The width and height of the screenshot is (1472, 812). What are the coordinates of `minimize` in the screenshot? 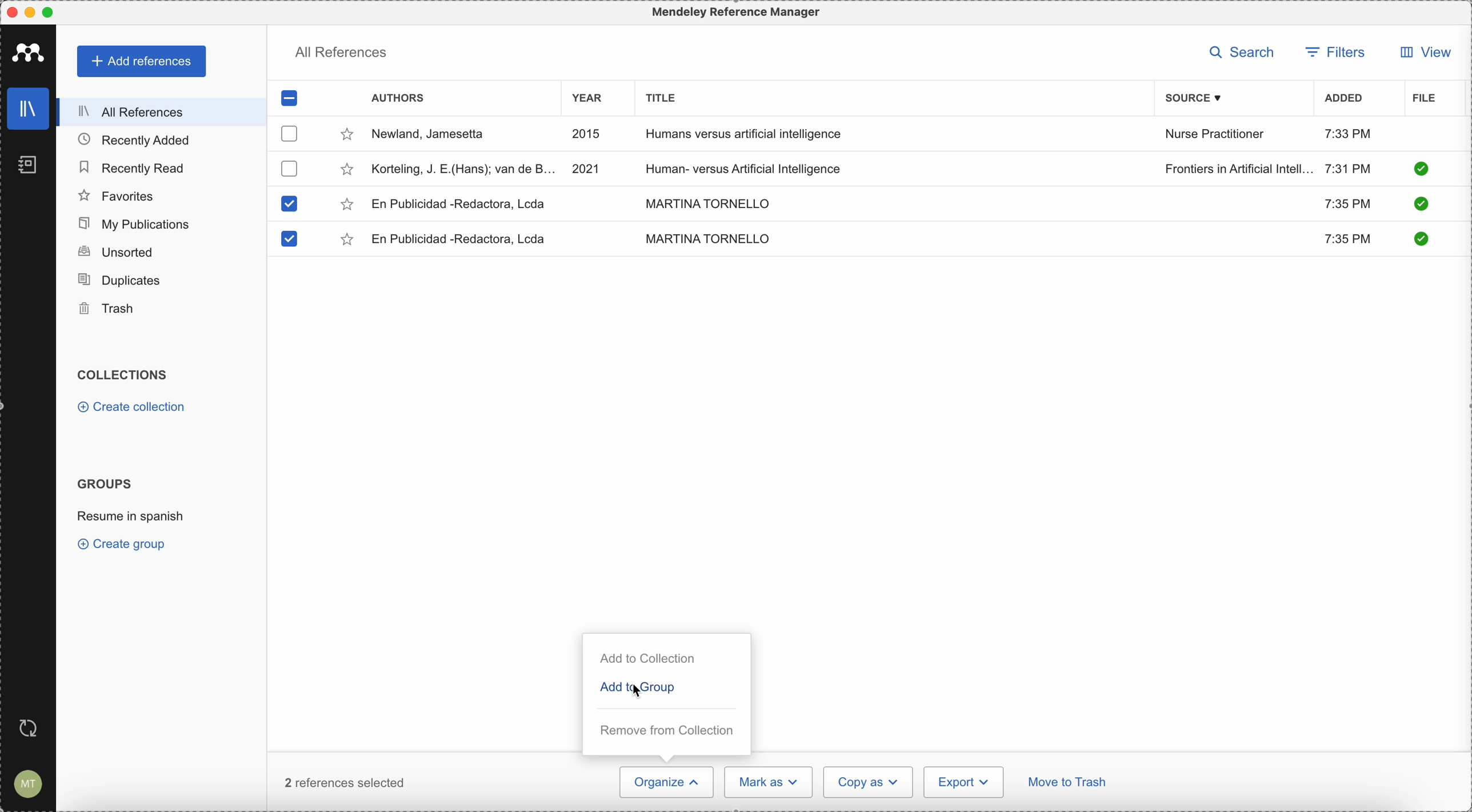 It's located at (33, 13).